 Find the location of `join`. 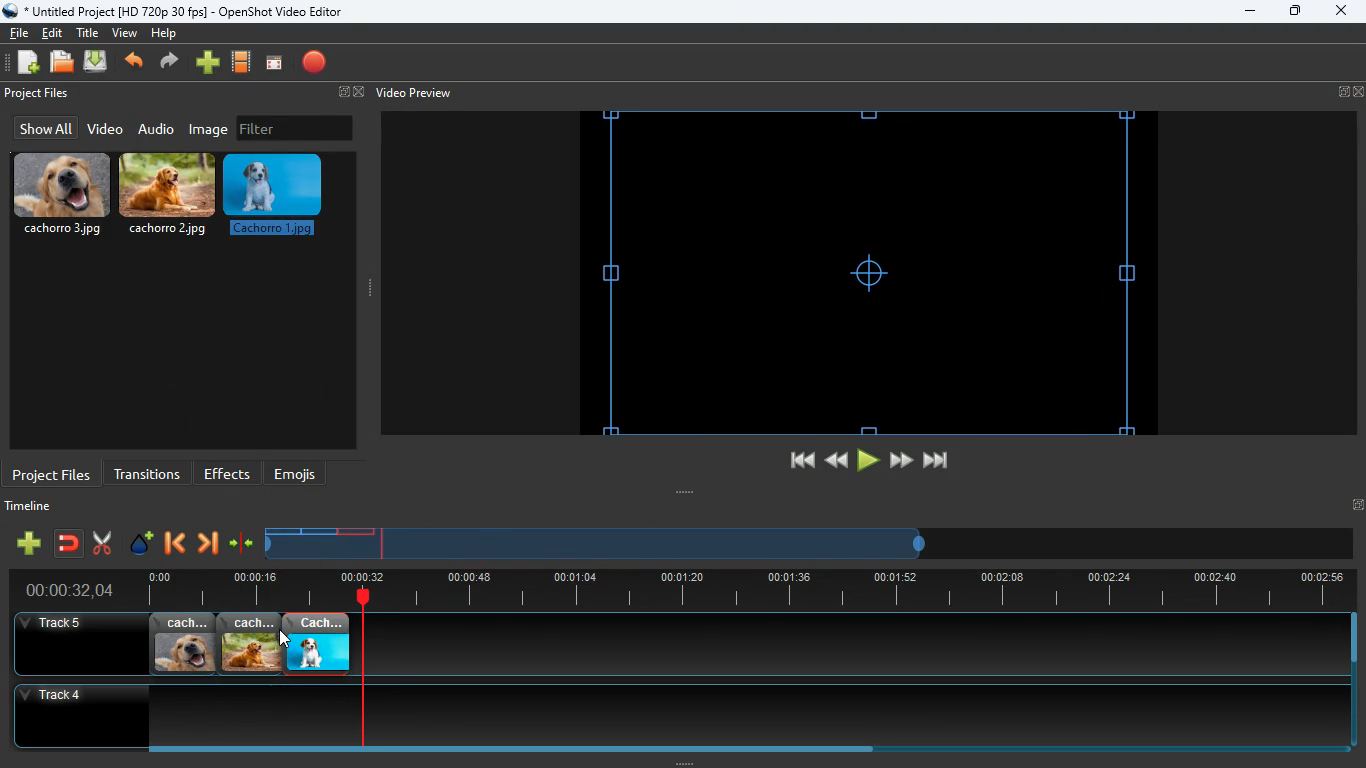

join is located at coordinates (70, 545).